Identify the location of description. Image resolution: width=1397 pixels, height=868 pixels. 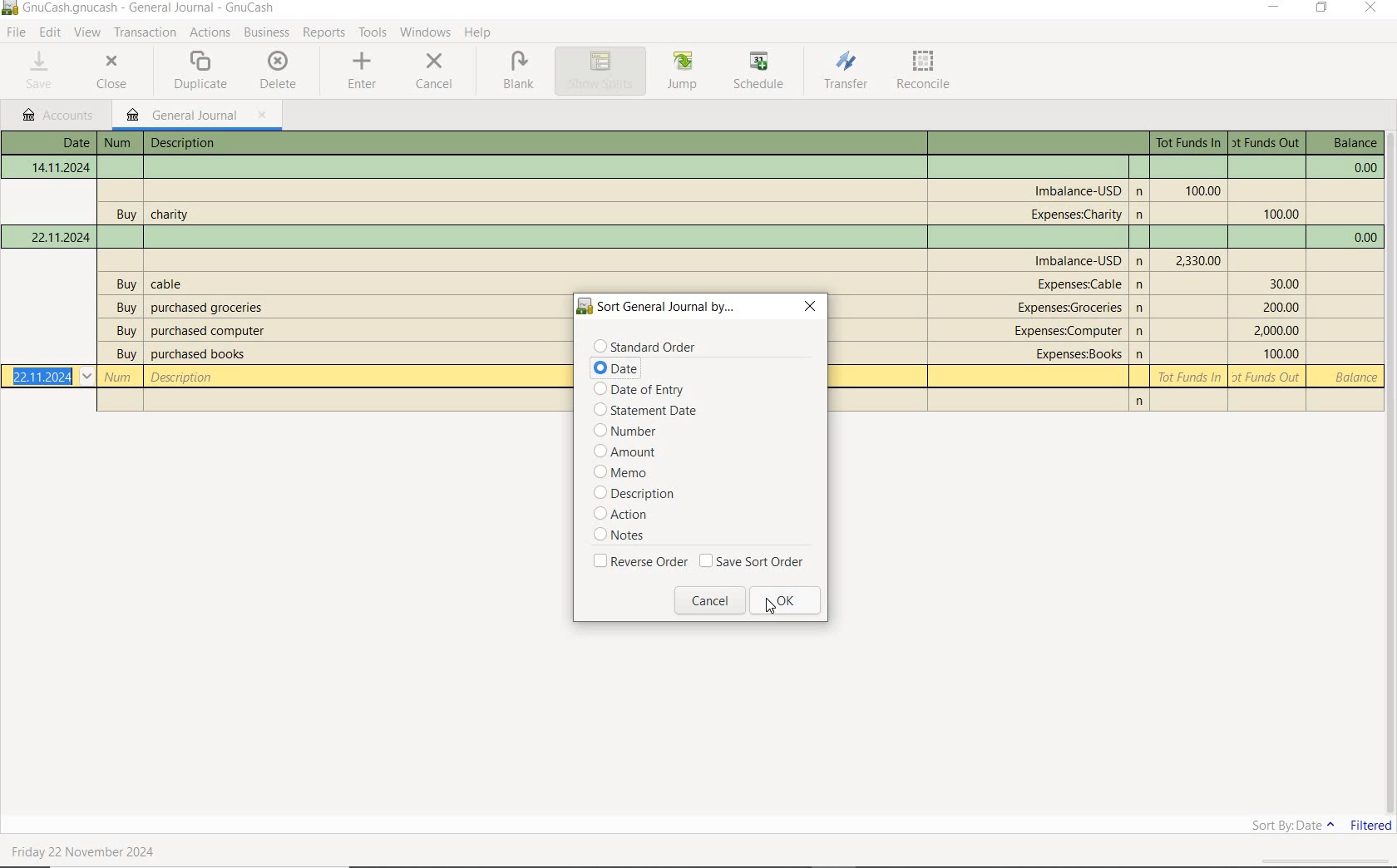
(186, 144).